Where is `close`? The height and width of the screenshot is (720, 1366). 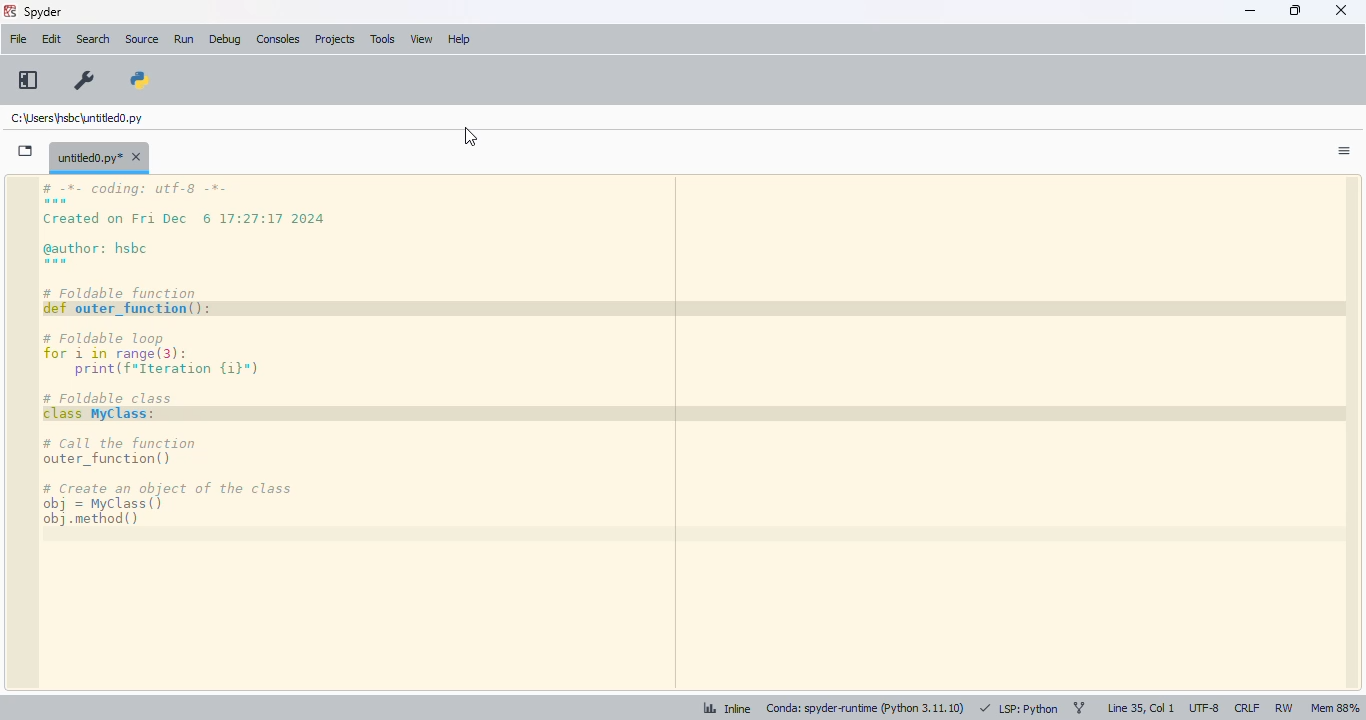 close is located at coordinates (1343, 11).